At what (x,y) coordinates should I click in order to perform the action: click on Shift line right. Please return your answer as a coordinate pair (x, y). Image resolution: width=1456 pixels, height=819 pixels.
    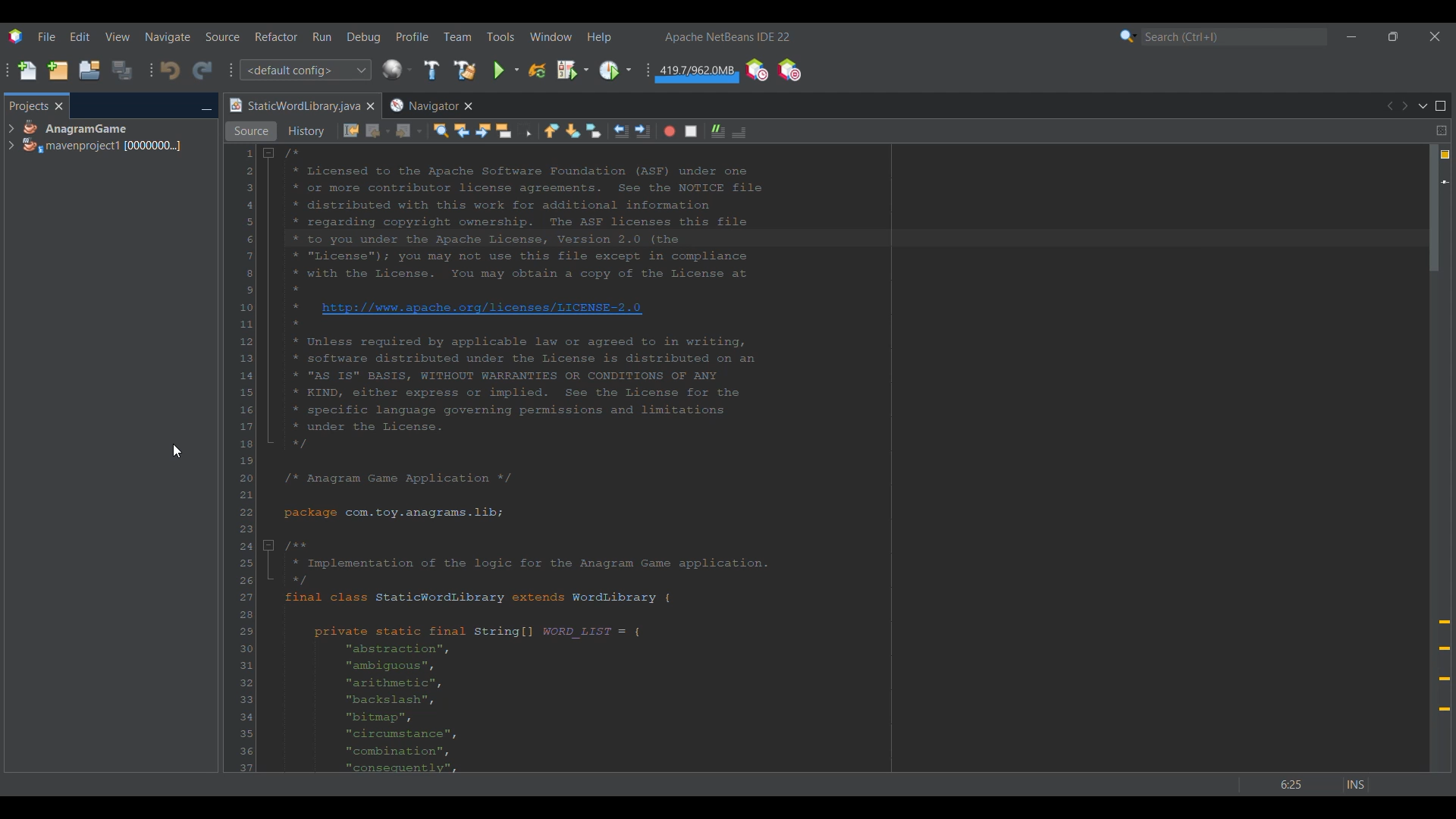
    Looking at the image, I should click on (642, 131).